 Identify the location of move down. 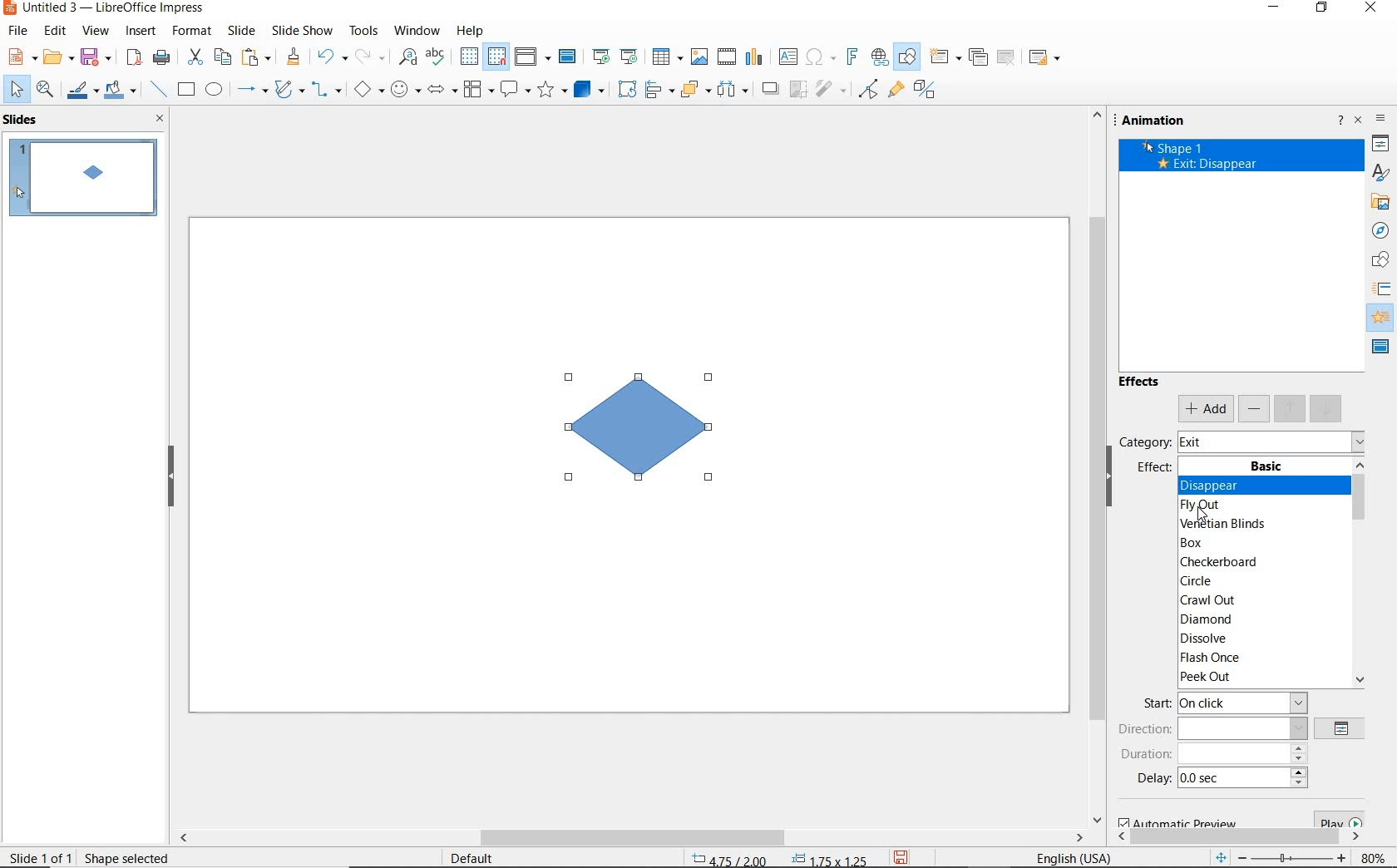
(1327, 409).